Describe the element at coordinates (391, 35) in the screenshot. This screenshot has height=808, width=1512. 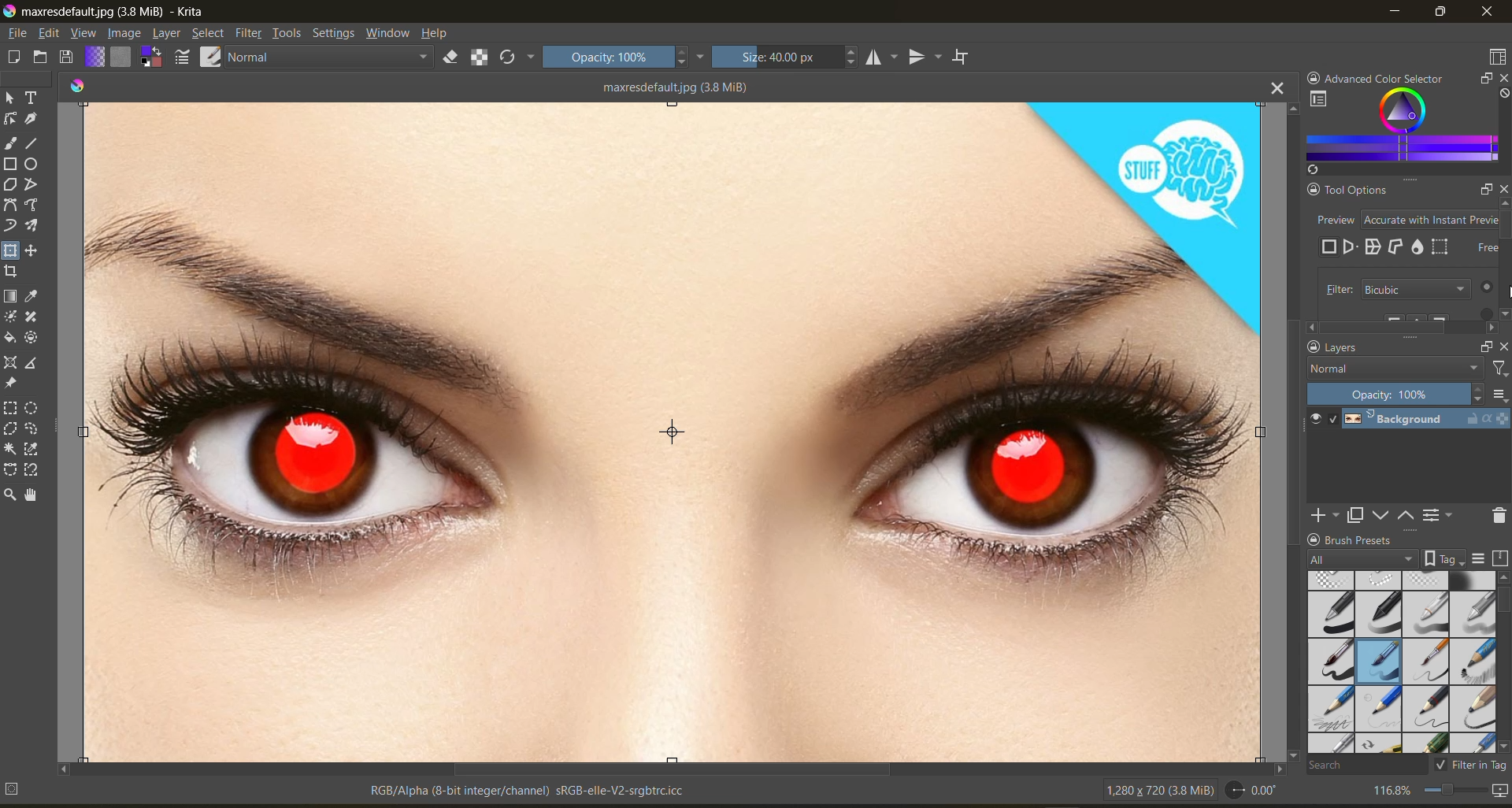
I see `window` at that location.